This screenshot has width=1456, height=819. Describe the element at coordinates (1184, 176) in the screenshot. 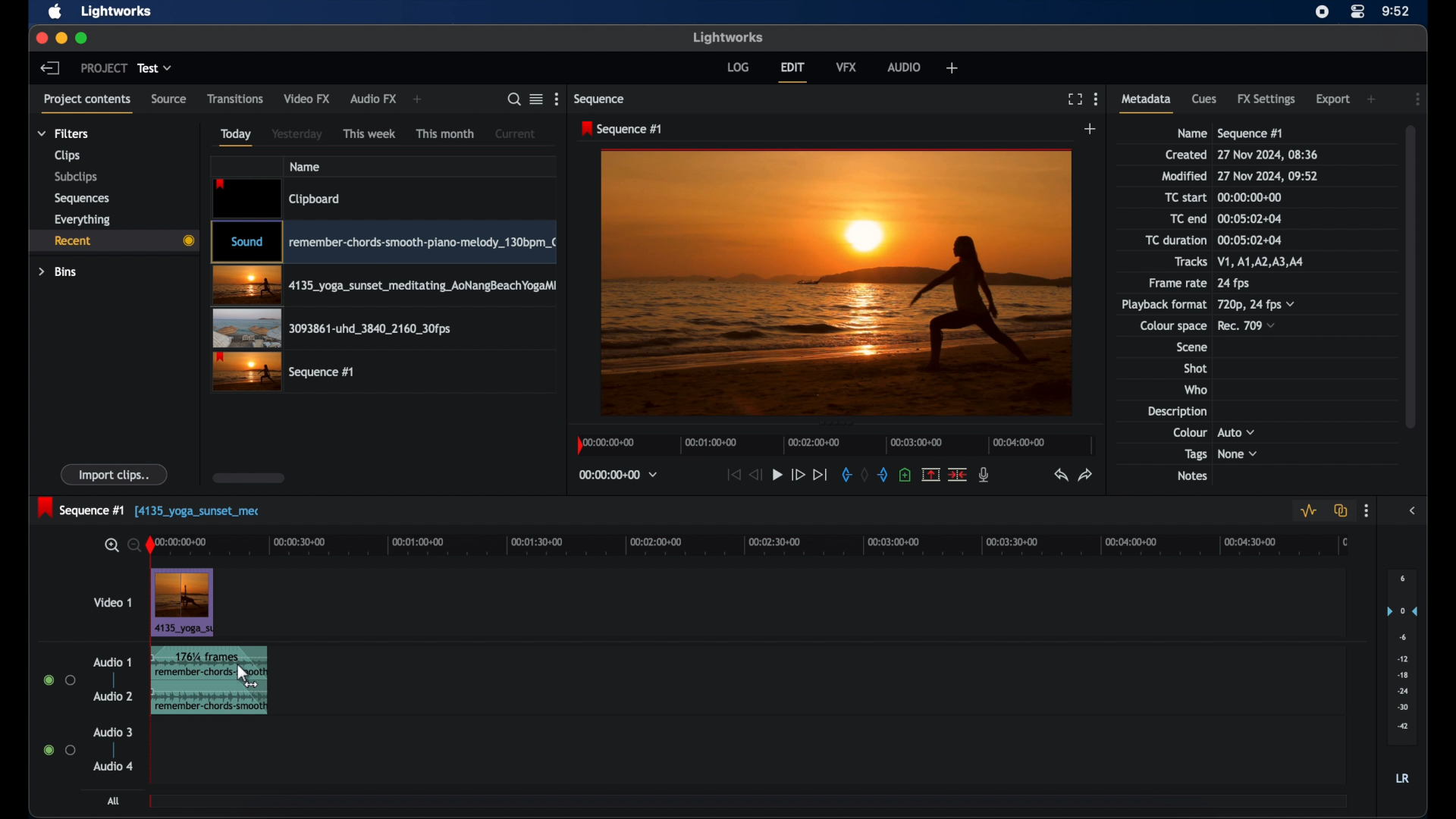

I see `modified` at that location.